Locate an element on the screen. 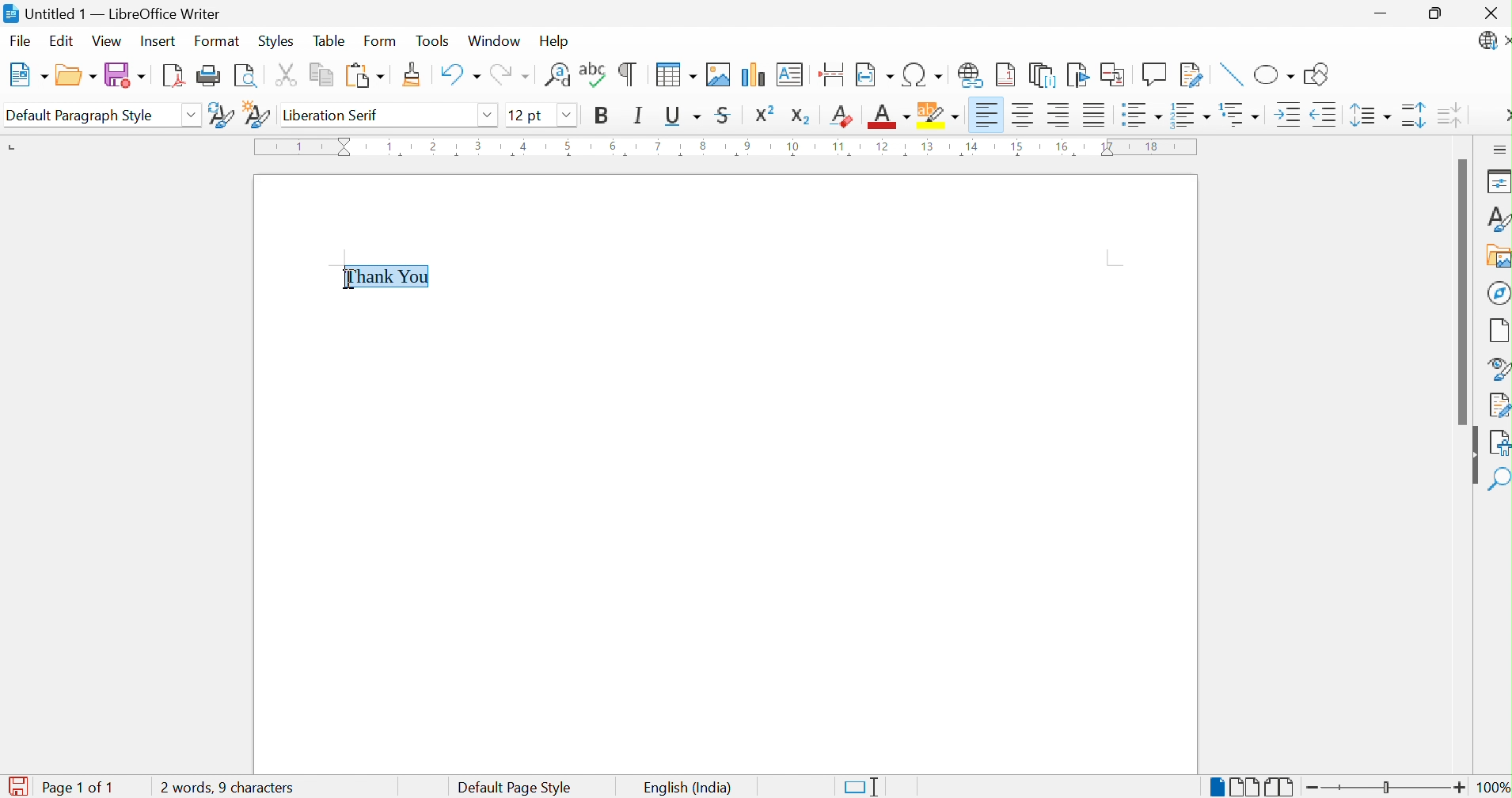 This screenshot has height=798, width=1512. Show Draw Functions is located at coordinates (1318, 74).